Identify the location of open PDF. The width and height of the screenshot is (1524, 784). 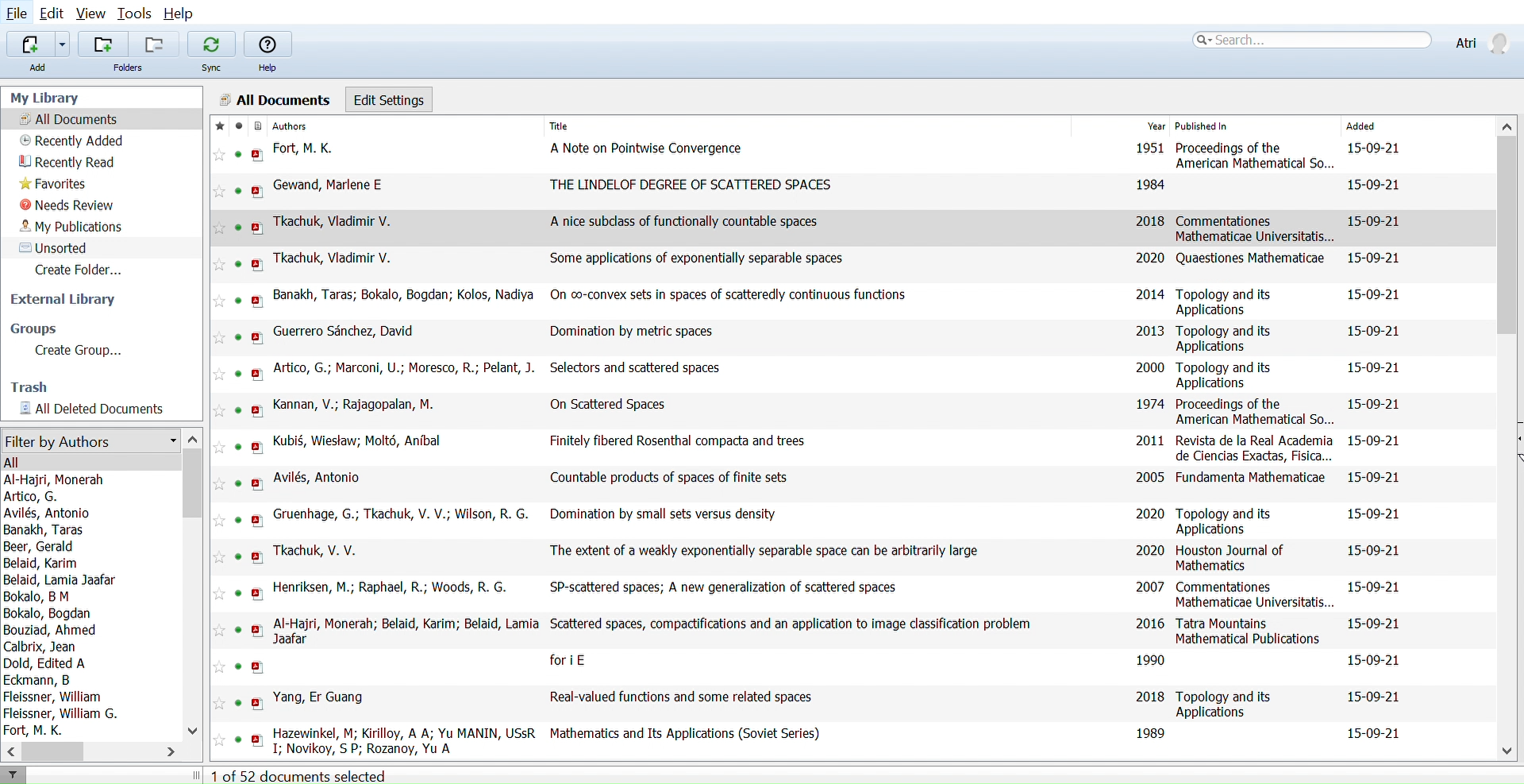
(258, 301).